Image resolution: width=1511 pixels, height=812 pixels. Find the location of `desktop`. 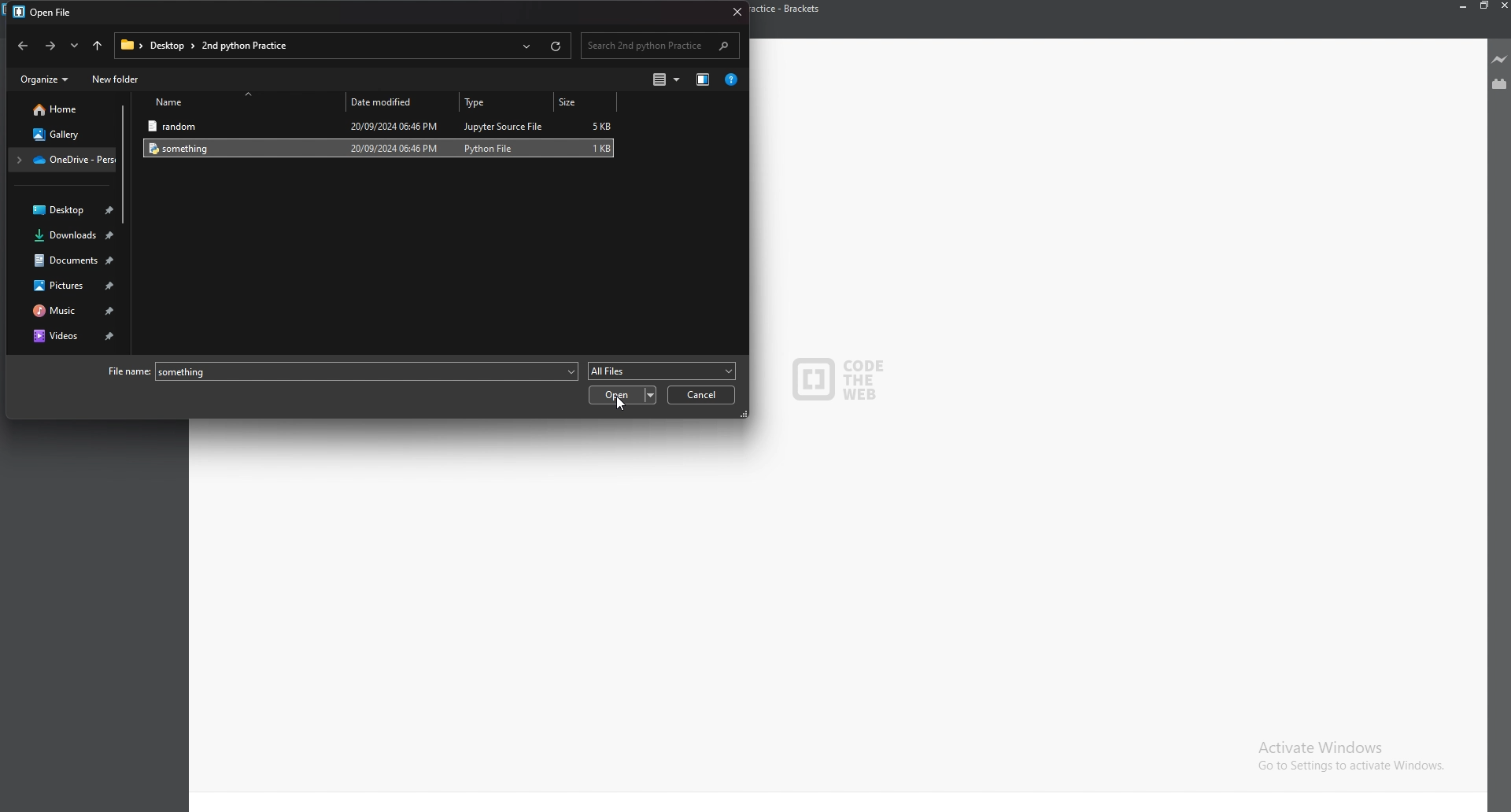

desktop is located at coordinates (64, 210).